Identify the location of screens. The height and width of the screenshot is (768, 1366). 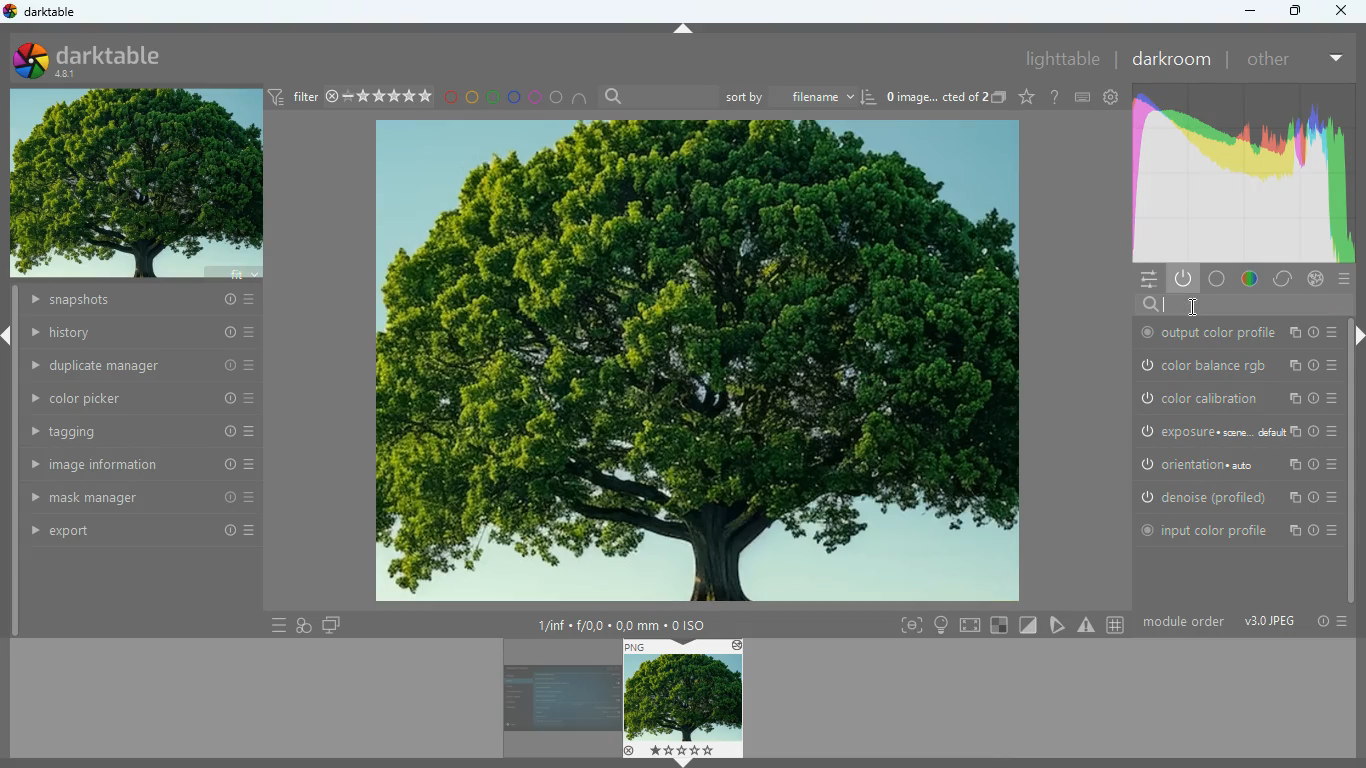
(331, 624).